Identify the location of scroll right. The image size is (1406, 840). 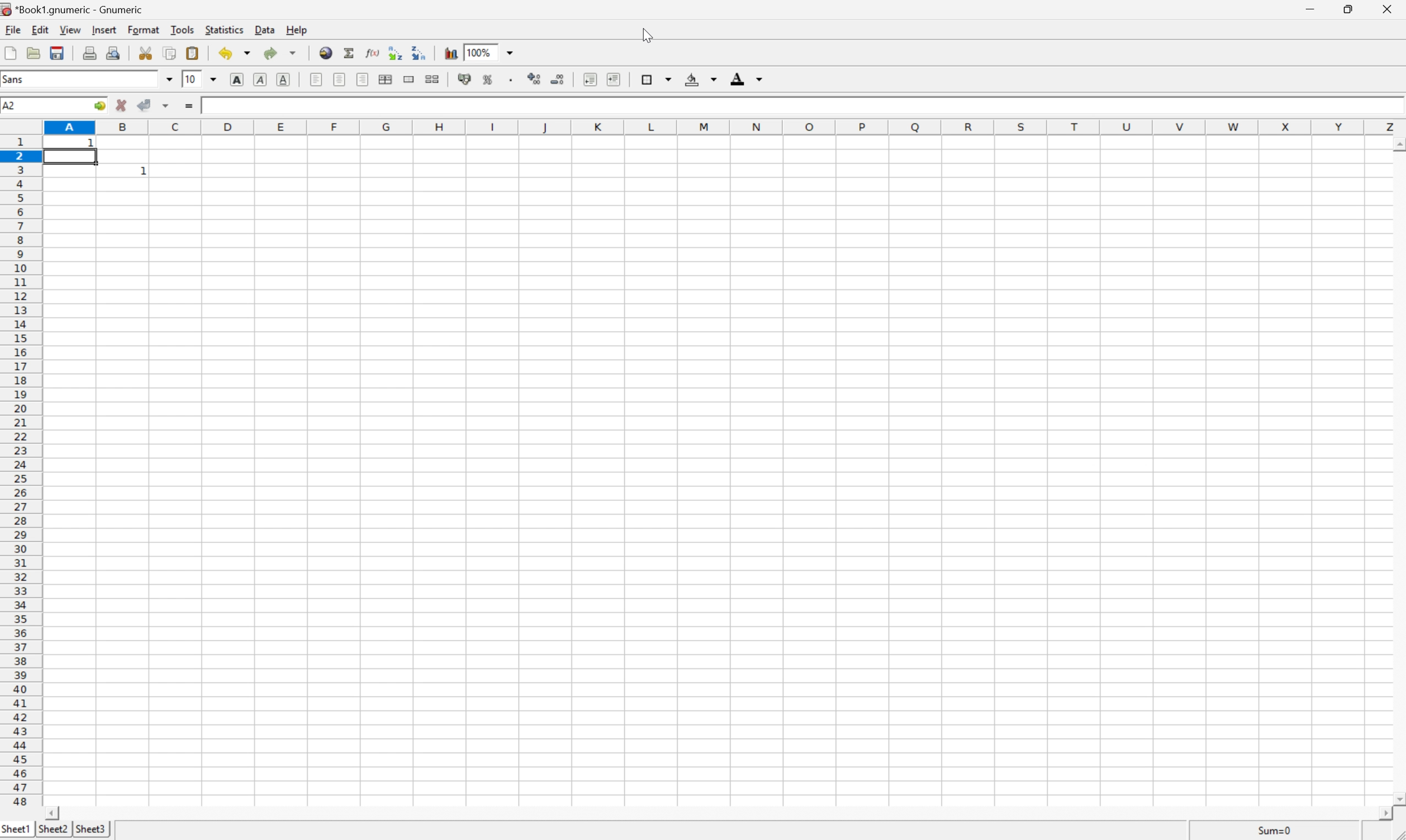
(1385, 815).